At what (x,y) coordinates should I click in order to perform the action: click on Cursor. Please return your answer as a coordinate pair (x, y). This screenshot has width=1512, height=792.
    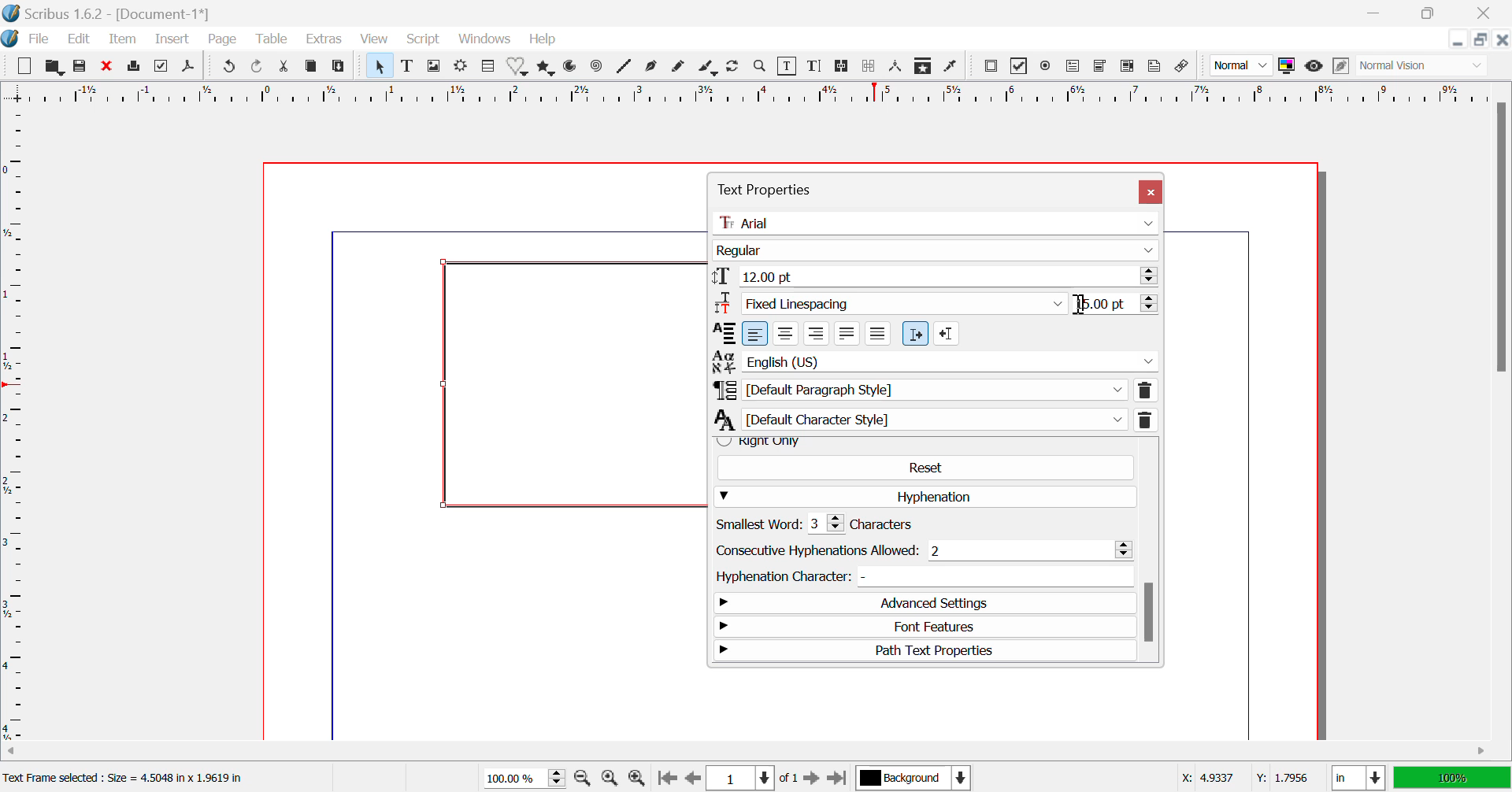
    Looking at the image, I should click on (1081, 304).